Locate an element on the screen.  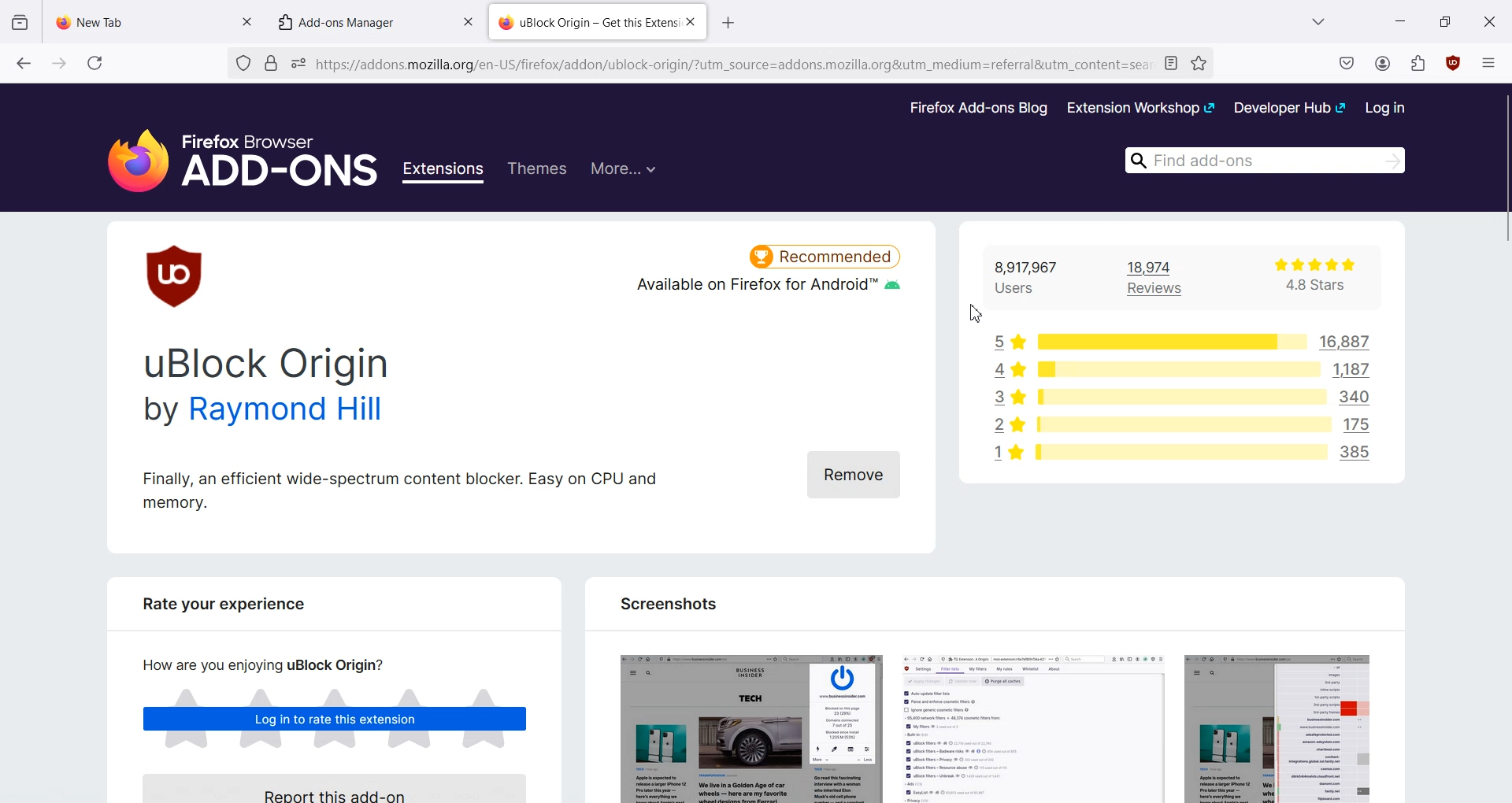
rating bar is located at coordinates (1177, 398).